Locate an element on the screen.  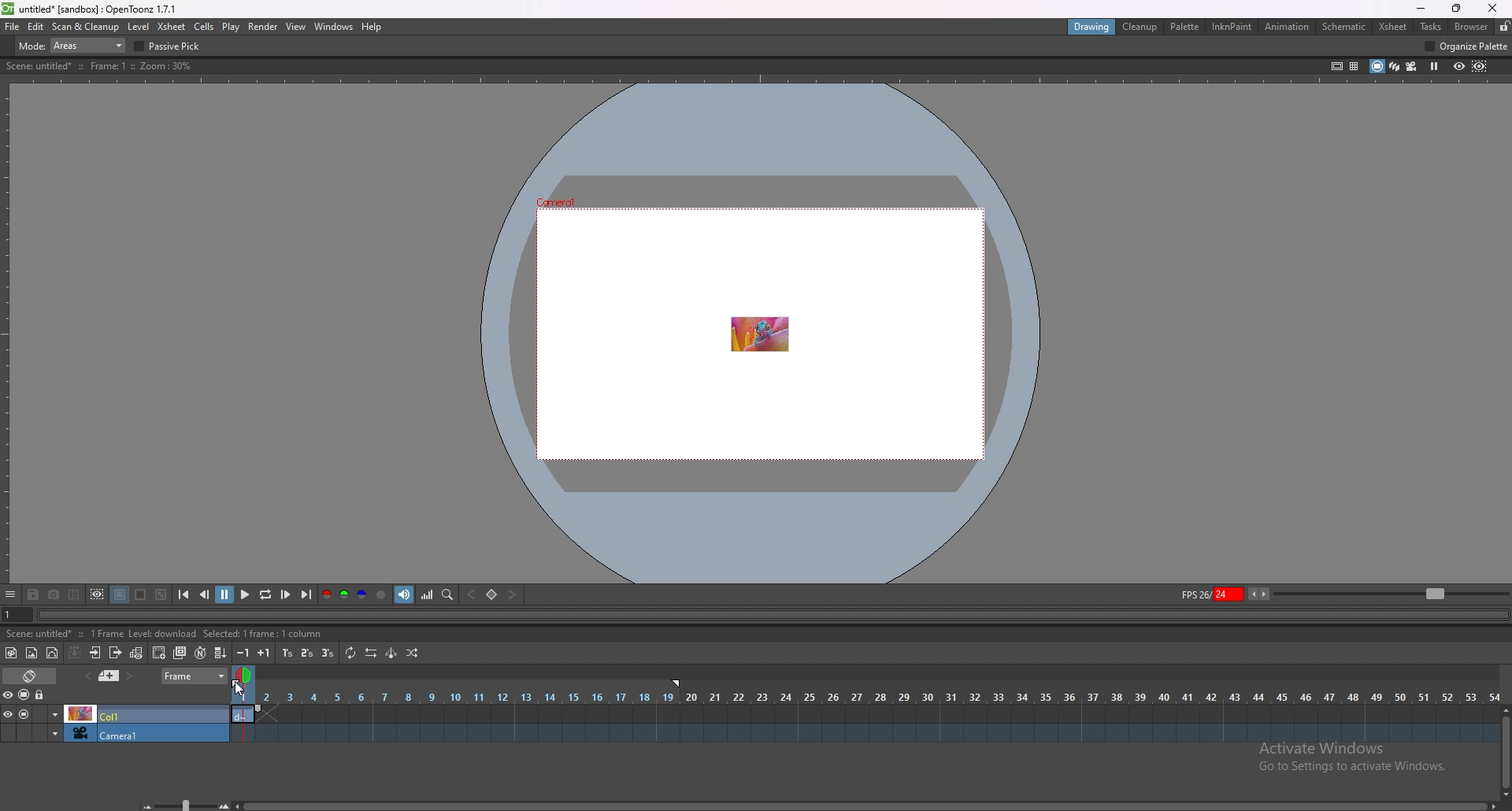
green channel is located at coordinates (345, 594).